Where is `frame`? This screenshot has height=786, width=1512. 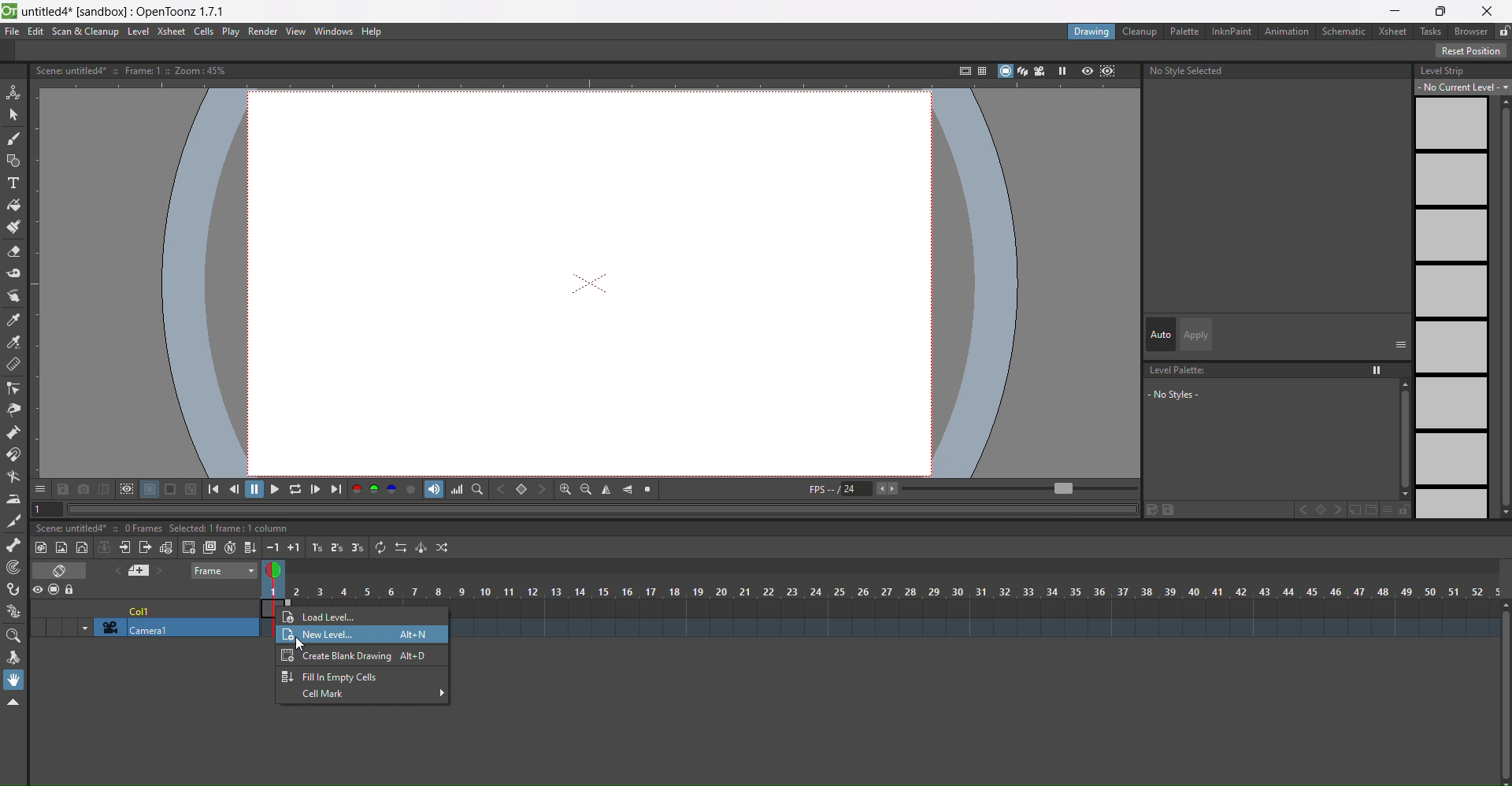
frame is located at coordinates (225, 572).